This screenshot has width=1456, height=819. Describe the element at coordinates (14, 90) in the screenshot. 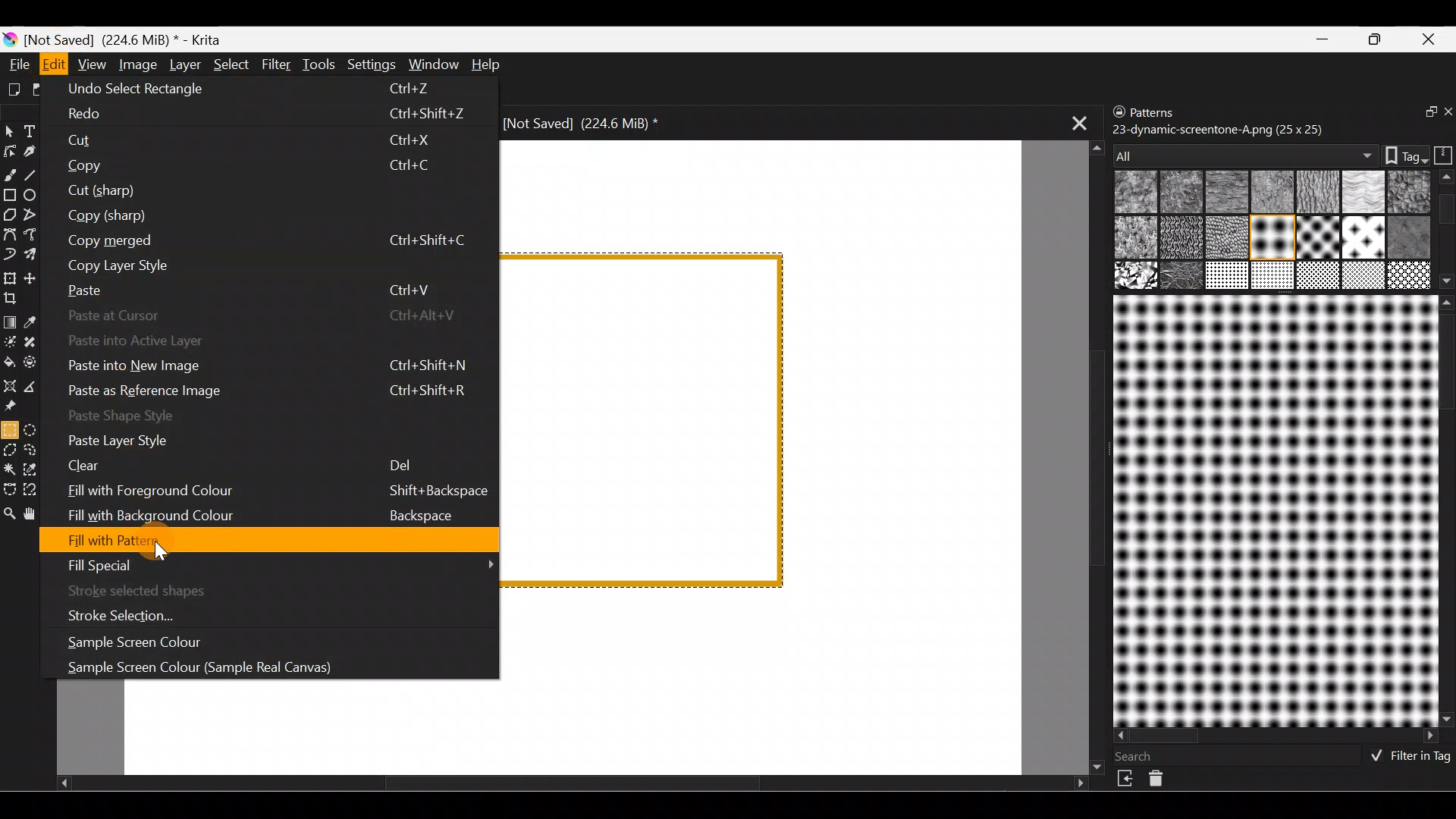

I see `Create new document` at that location.